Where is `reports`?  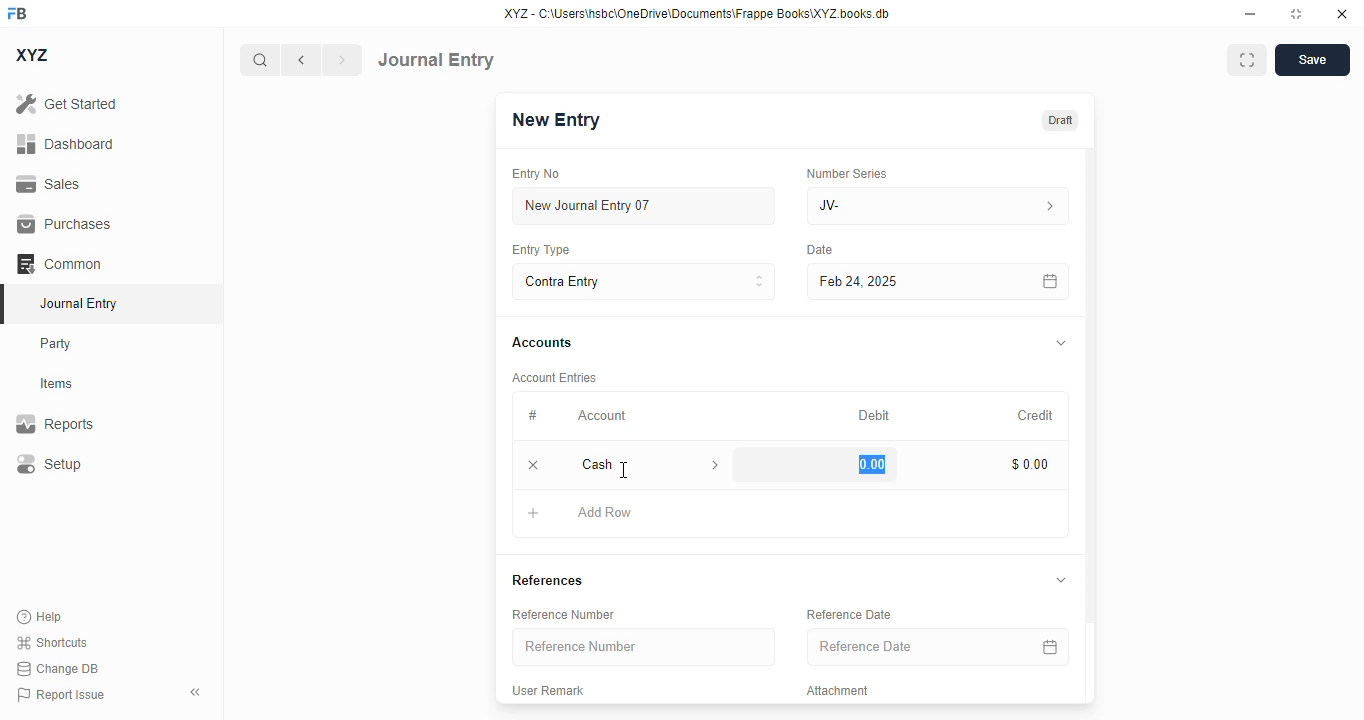
reports is located at coordinates (55, 423).